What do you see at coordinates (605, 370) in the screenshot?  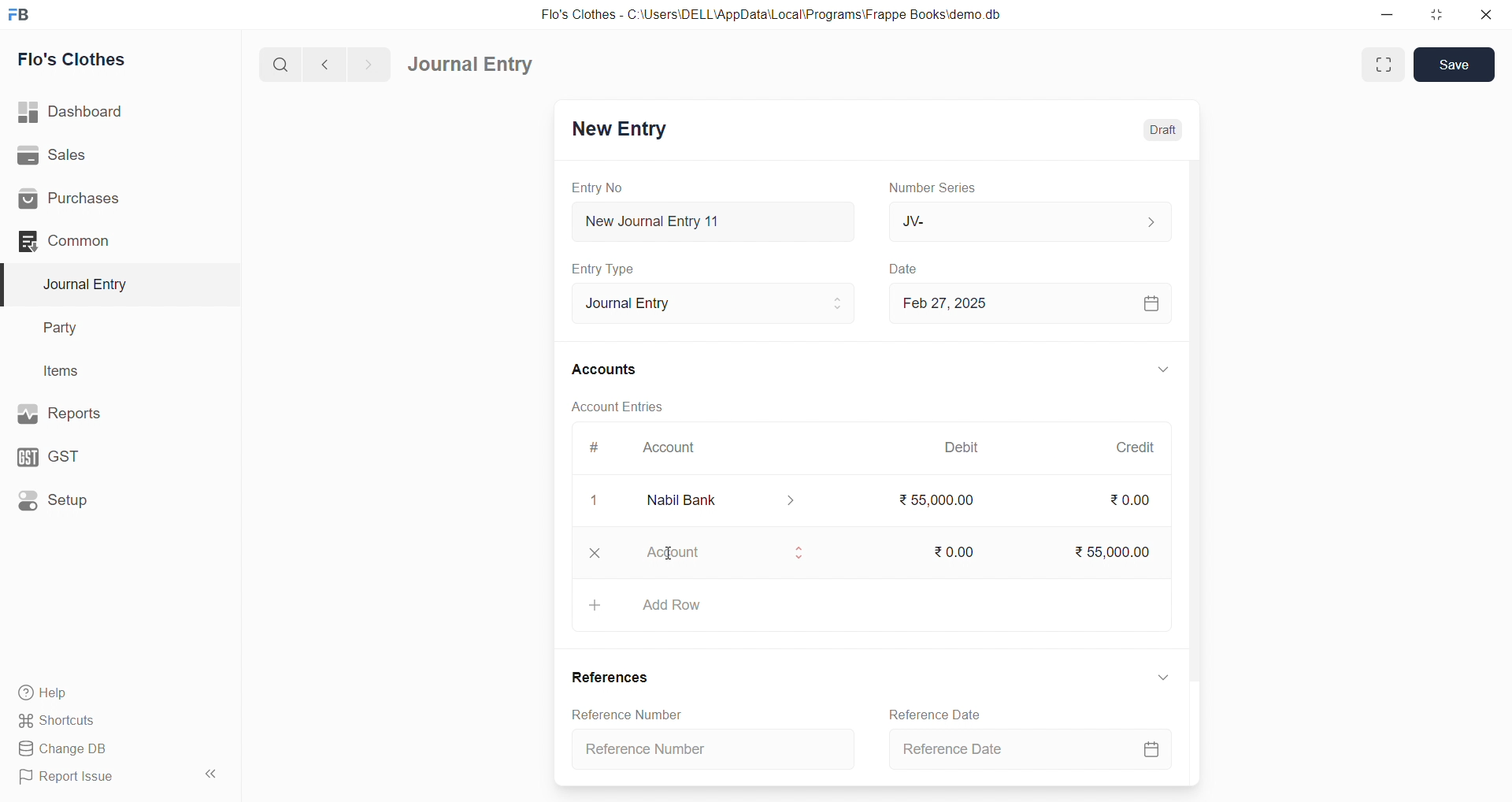 I see `Accounts` at bounding box center [605, 370].